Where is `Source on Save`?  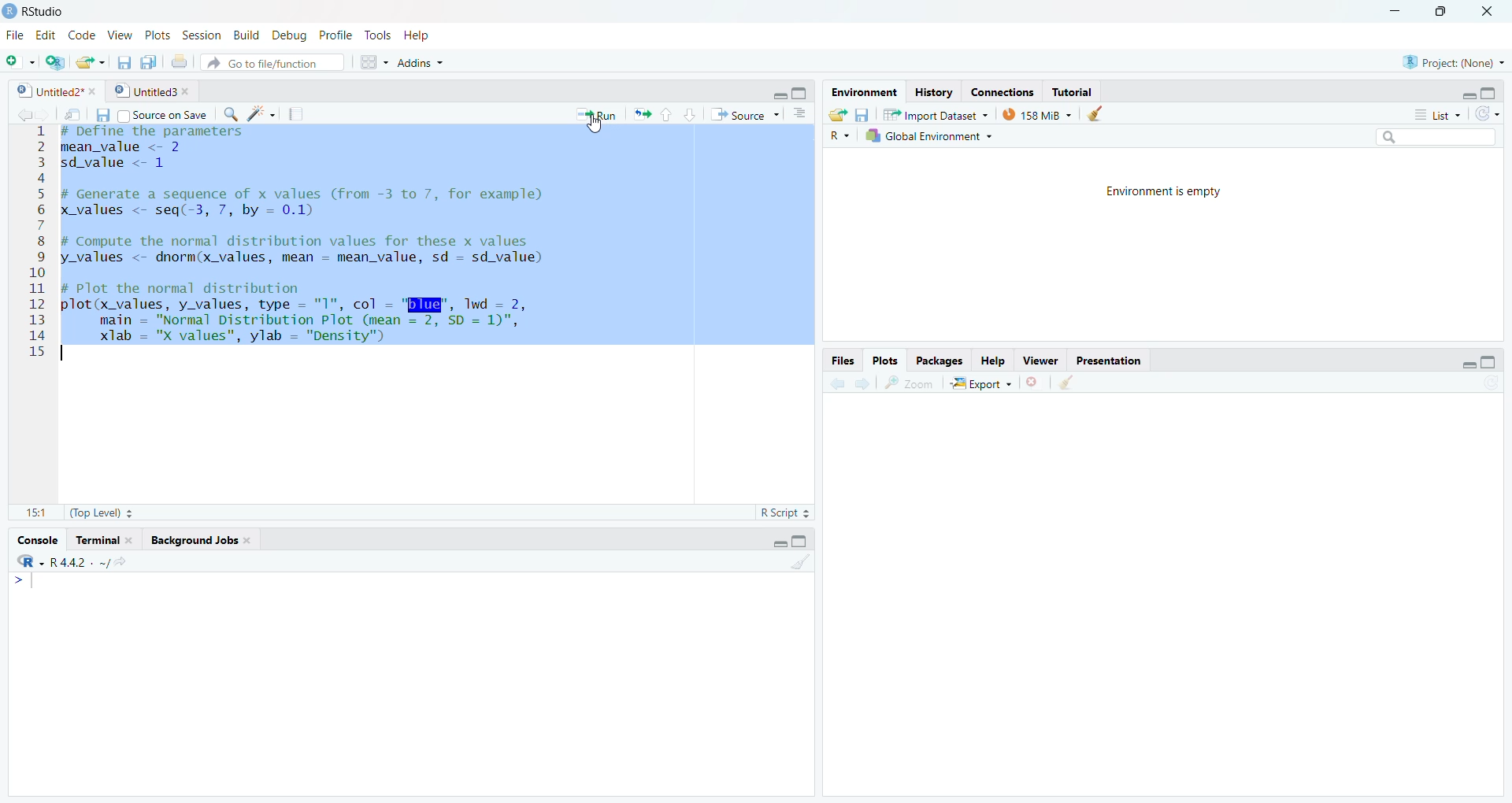
Source on Save is located at coordinates (166, 114).